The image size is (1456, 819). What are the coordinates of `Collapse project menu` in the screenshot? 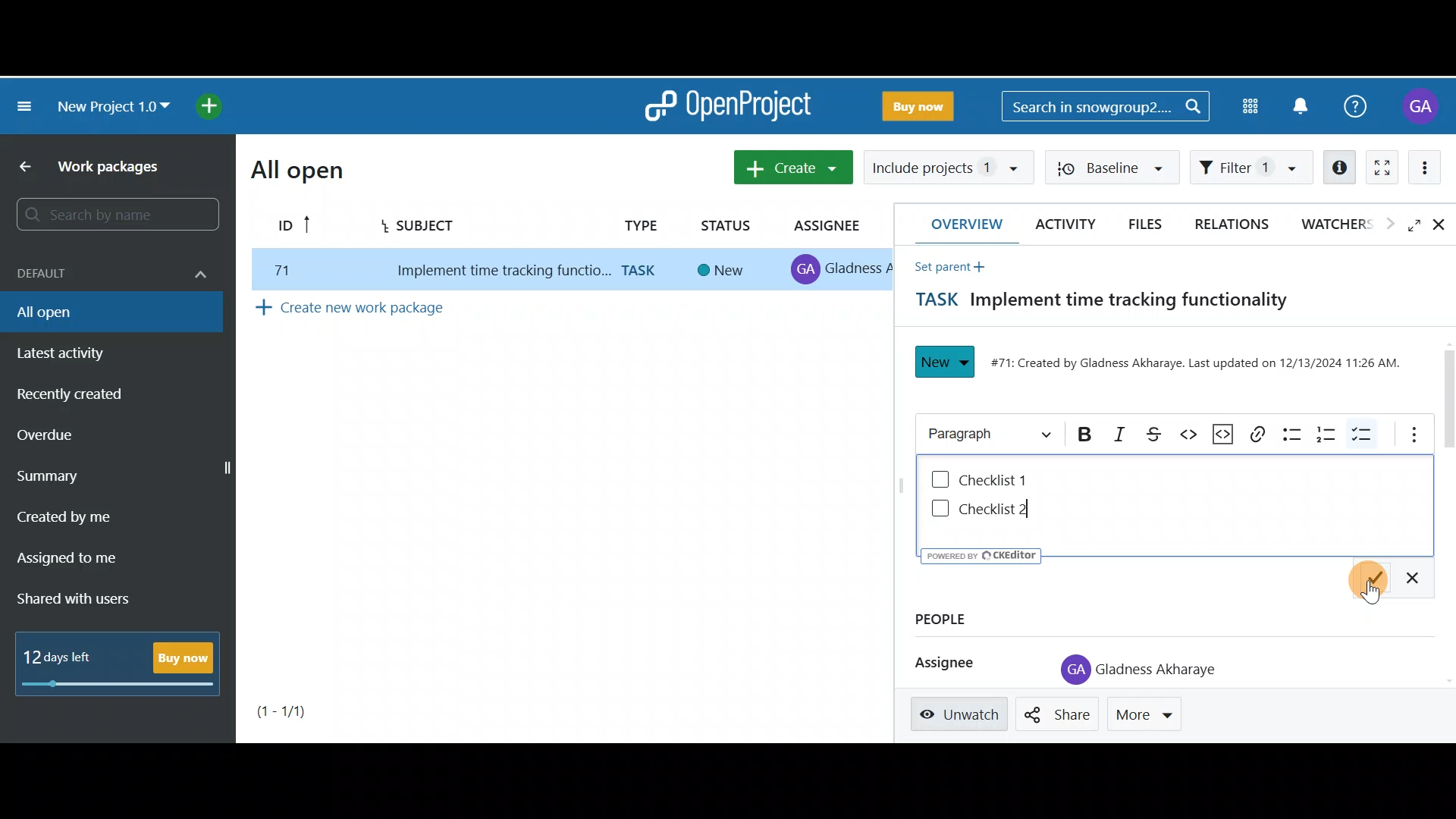 It's located at (26, 110).